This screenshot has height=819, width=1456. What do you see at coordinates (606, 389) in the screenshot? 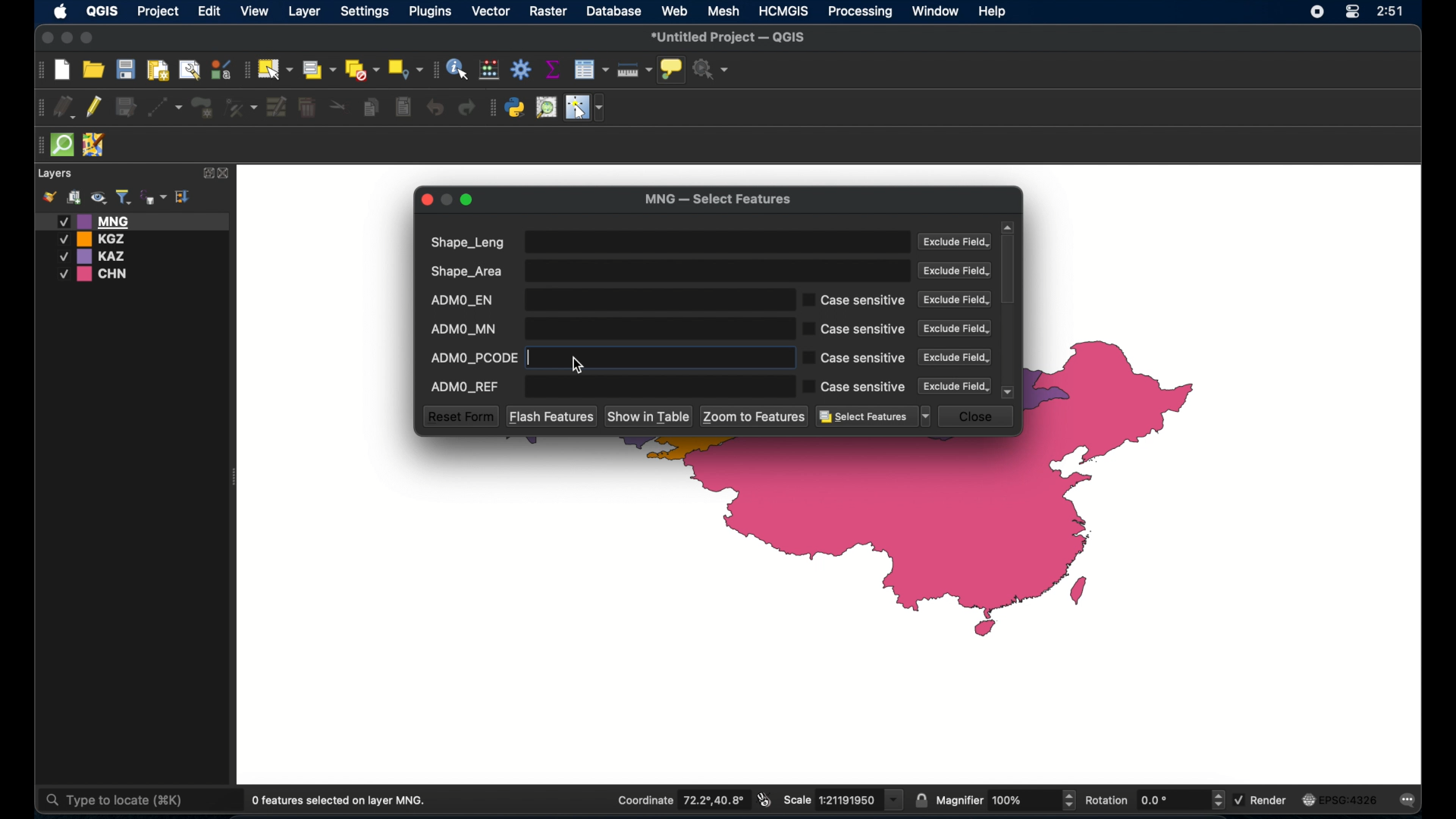
I see `ADMP_REF` at bounding box center [606, 389].